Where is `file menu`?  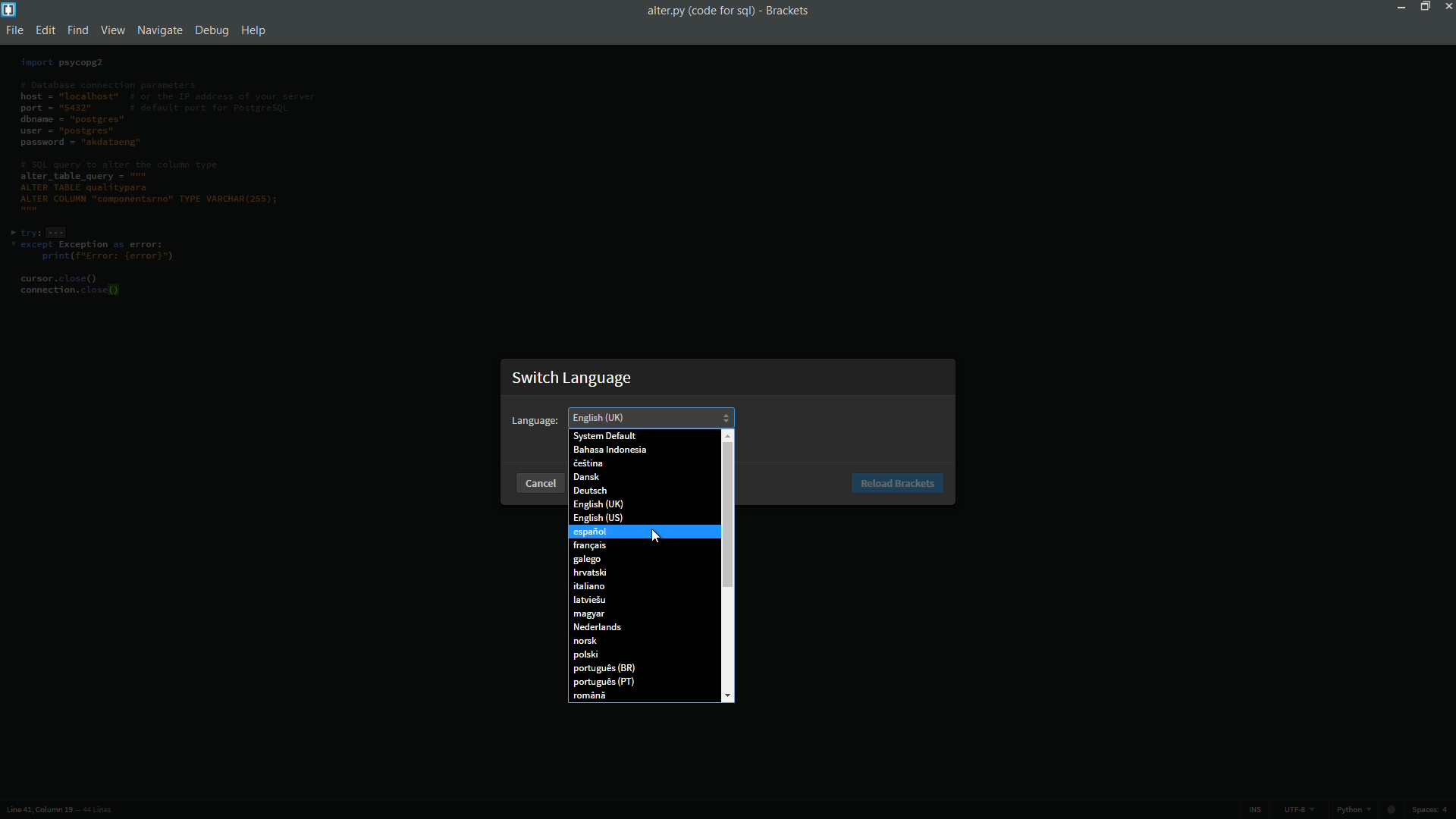
file menu is located at coordinates (12, 30).